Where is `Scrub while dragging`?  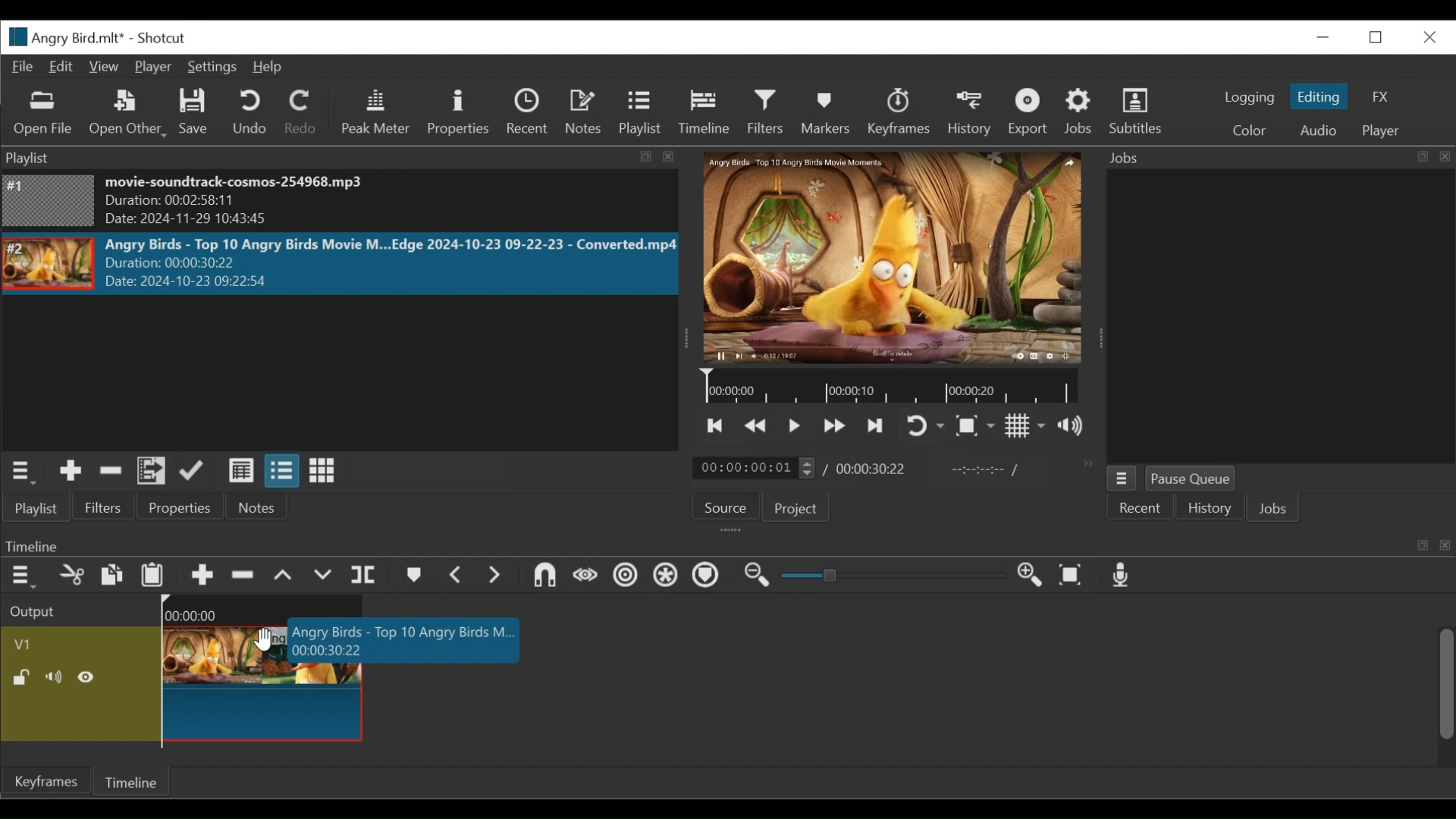 Scrub while dragging is located at coordinates (583, 576).